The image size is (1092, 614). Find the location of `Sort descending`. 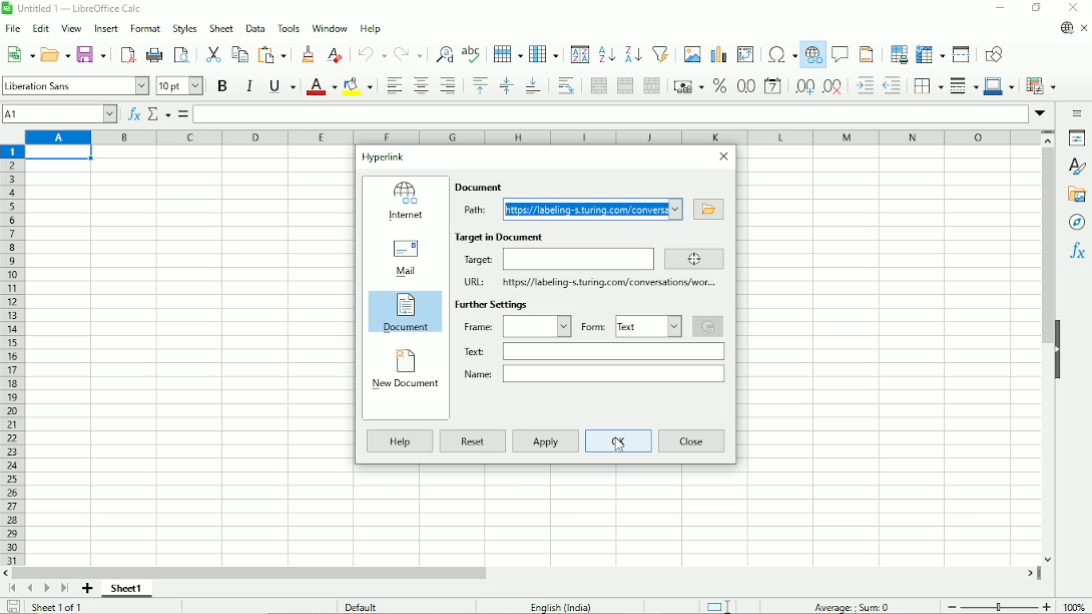

Sort descending is located at coordinates (631, 54).